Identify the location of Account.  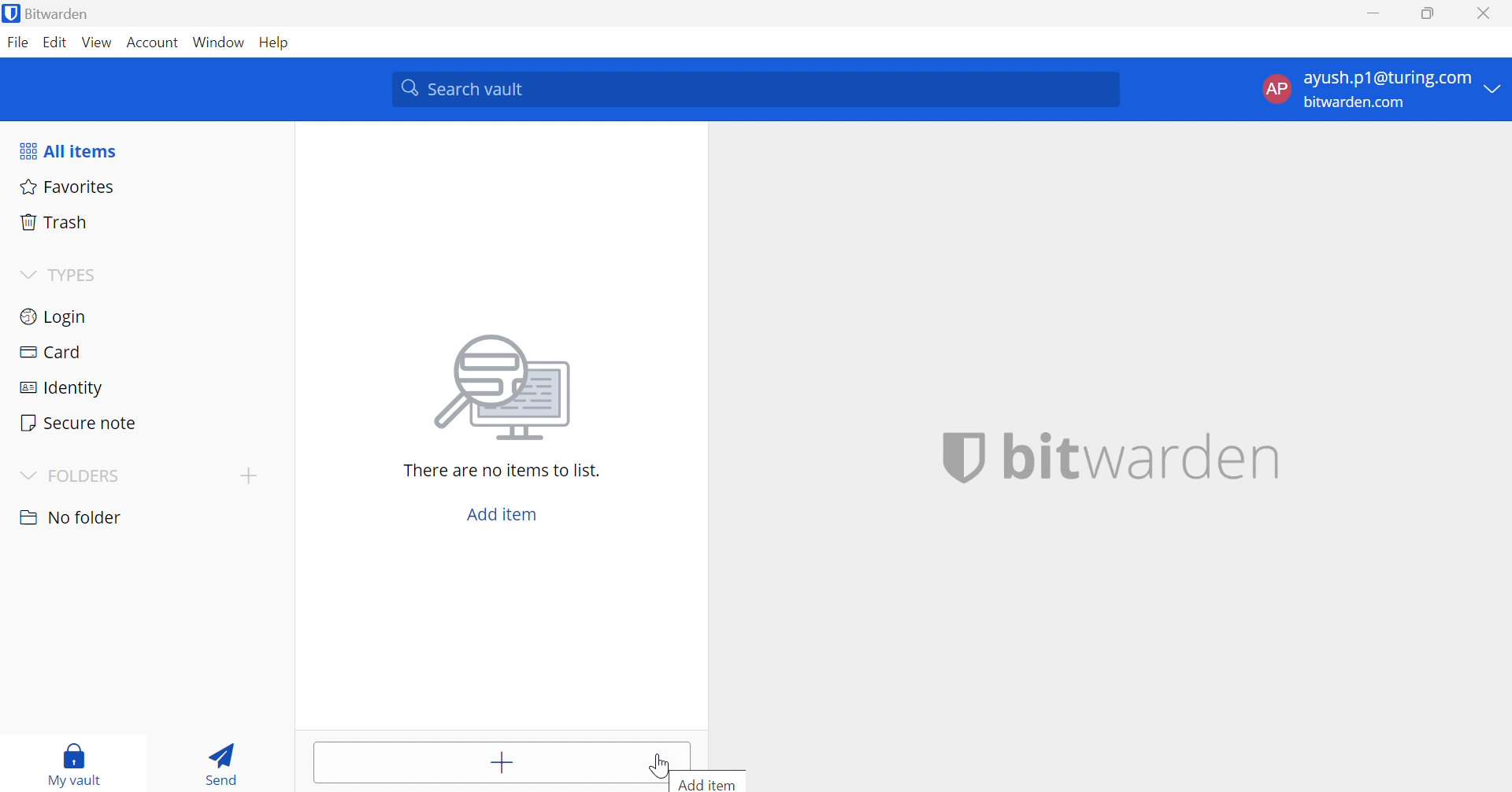
(154, 41).